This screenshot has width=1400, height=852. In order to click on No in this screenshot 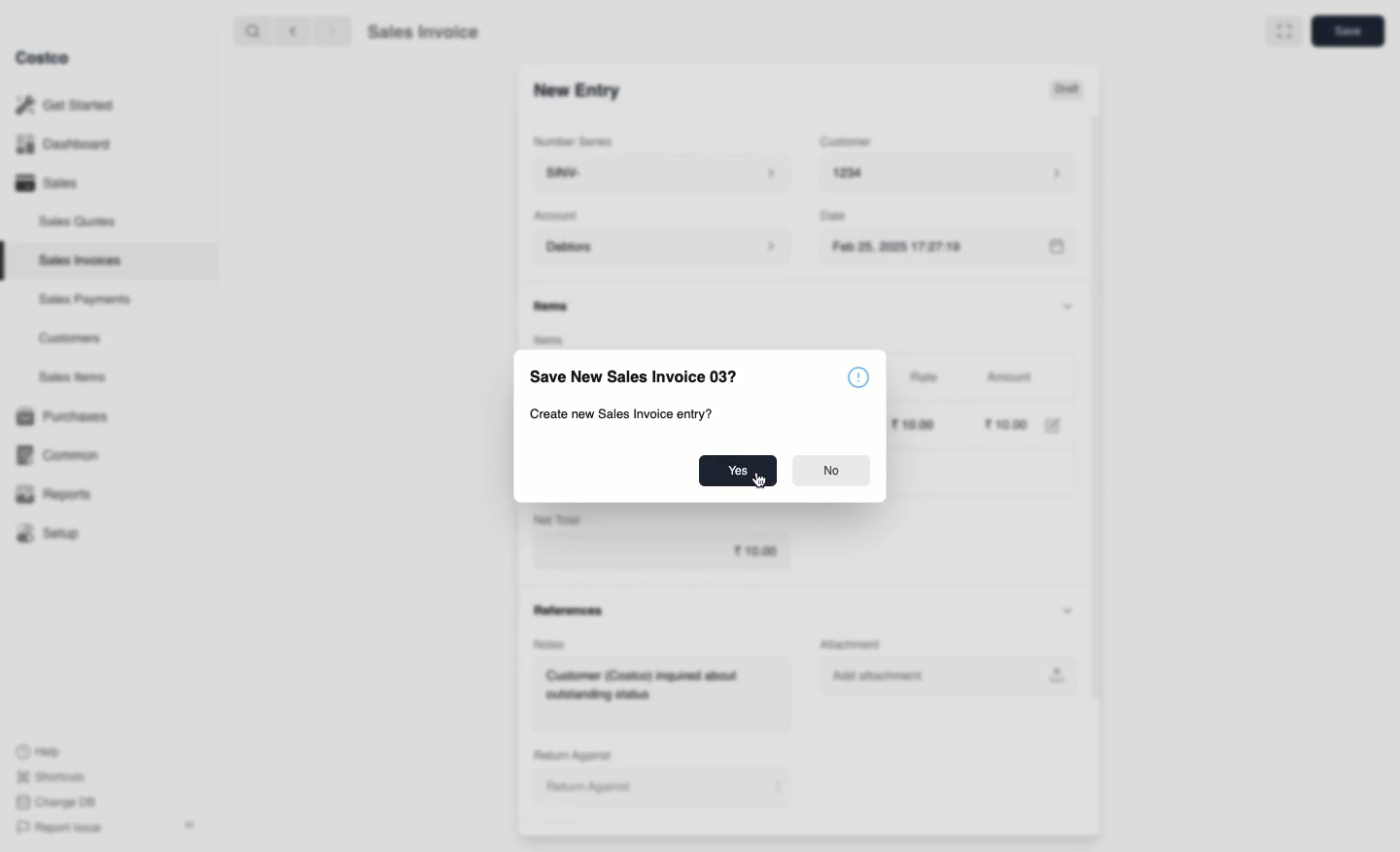, I will do `click(832, 473)`.